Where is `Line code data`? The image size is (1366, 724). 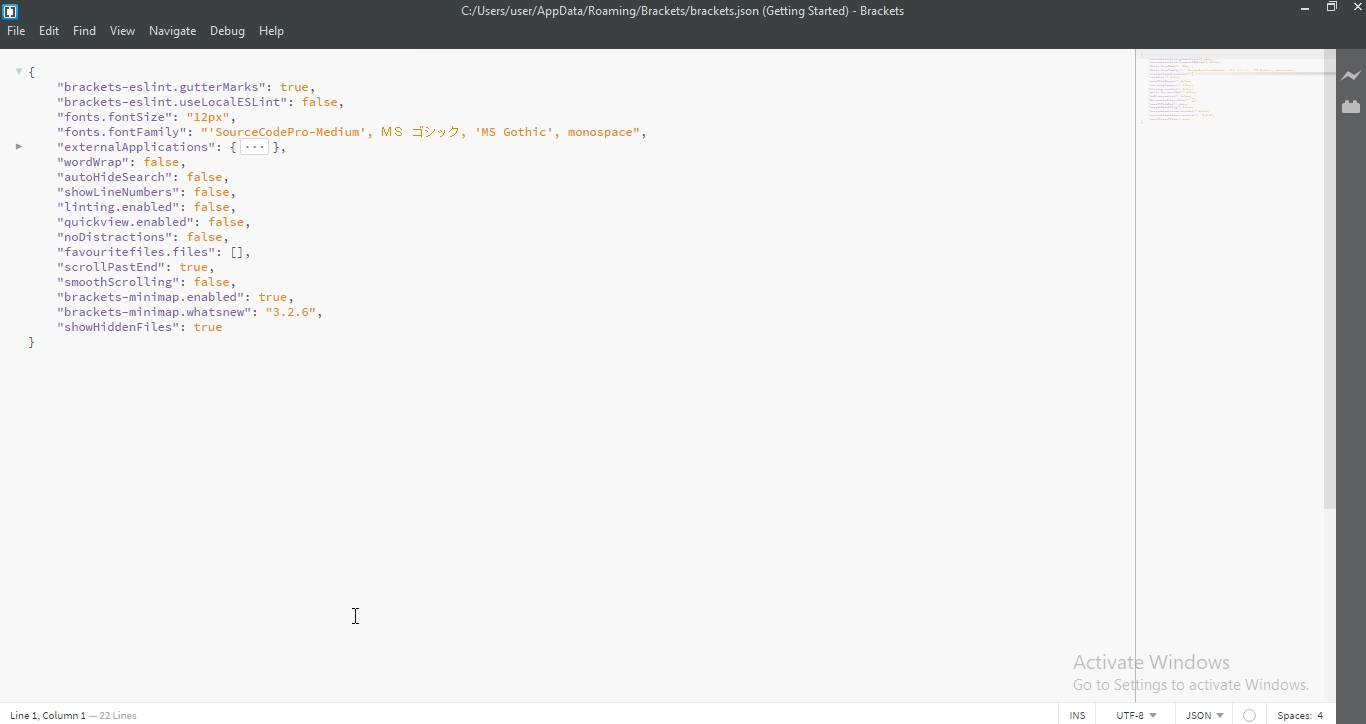 Line code data is located at coordinates (78, 714).